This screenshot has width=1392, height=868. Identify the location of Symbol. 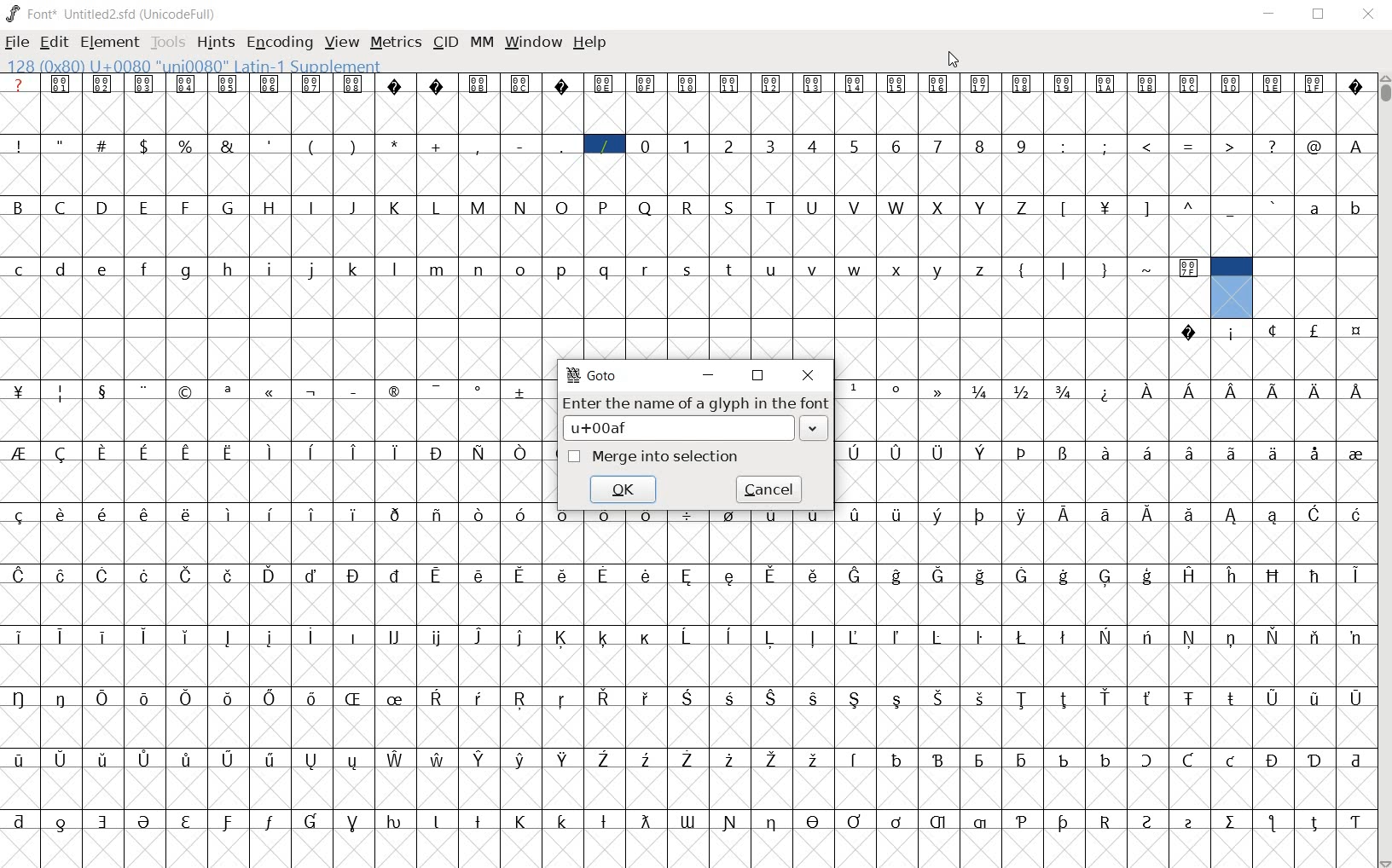
(105, 759).